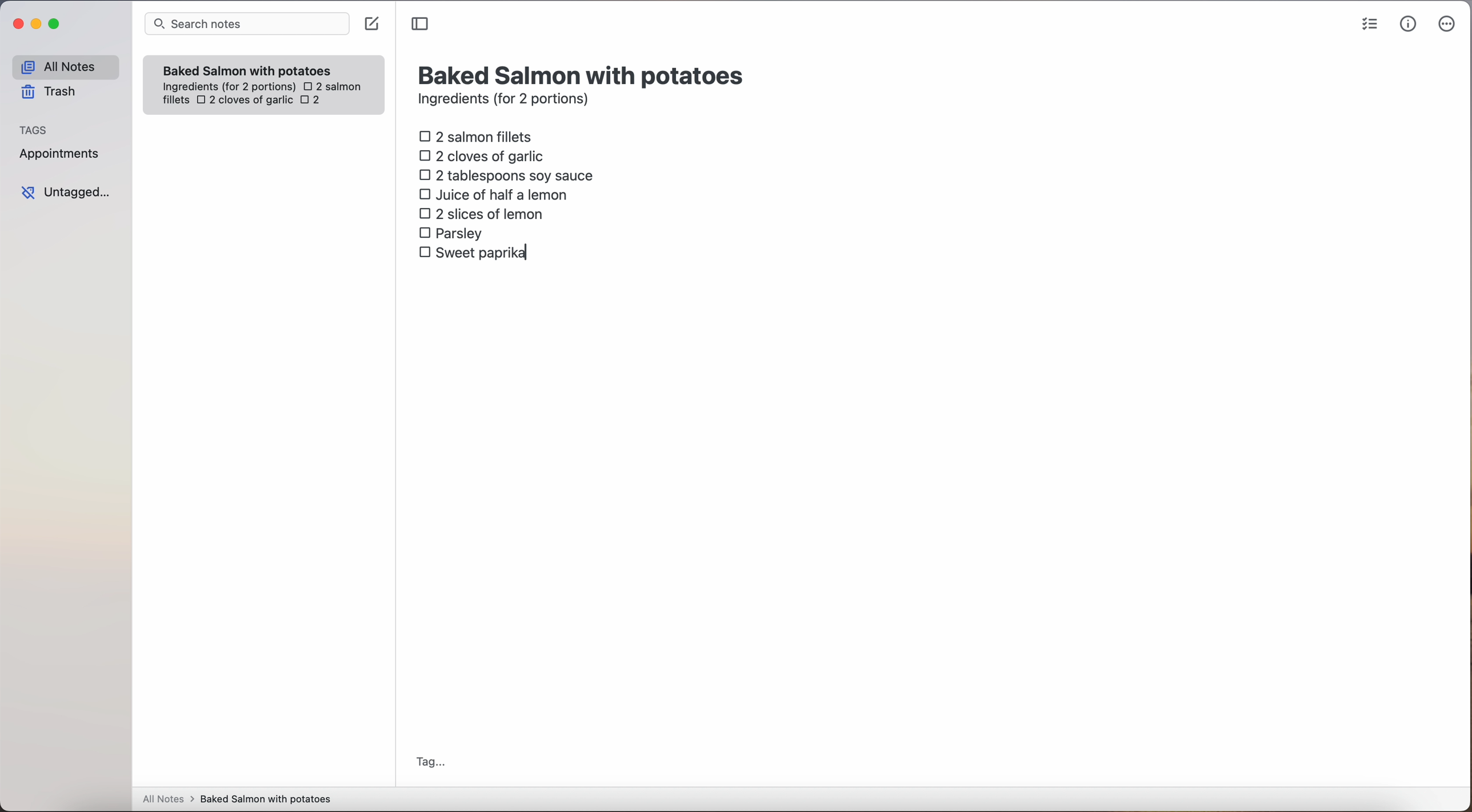  What do you see at coordinates (421, 25) in the screenshot?
I see `toggle sidebar` at bounding box center [421, 25].